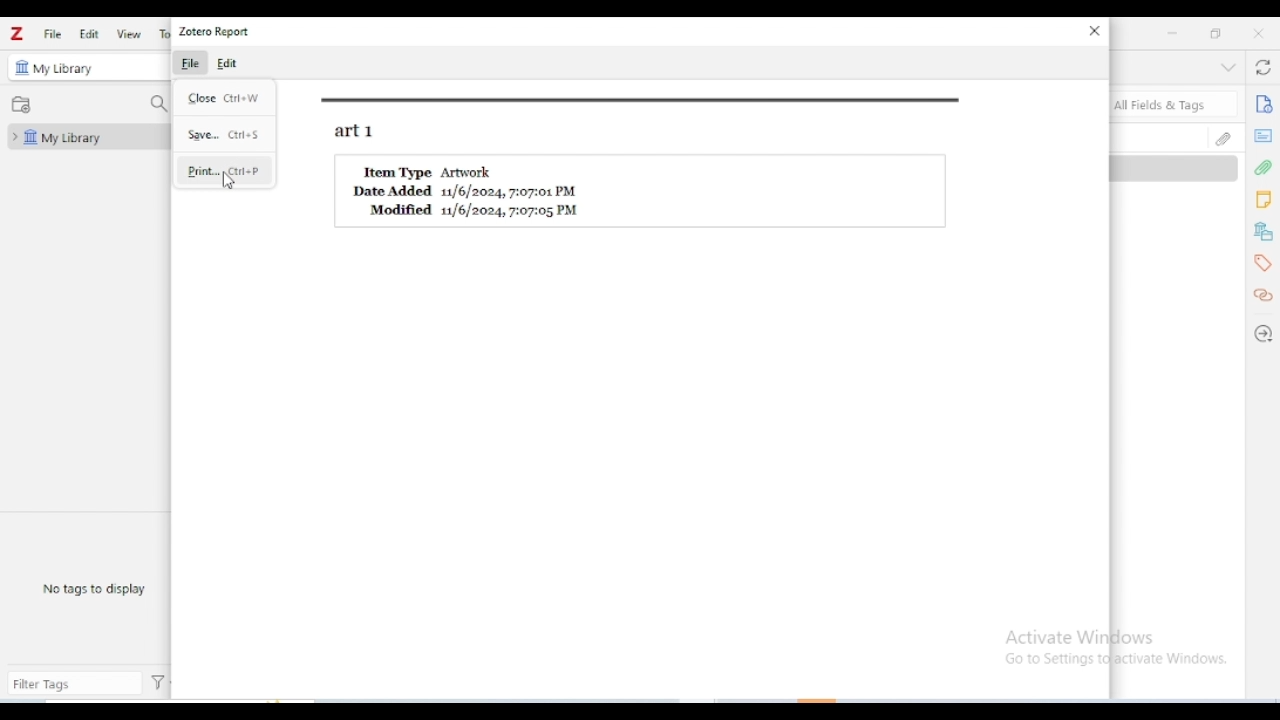 The image size is (1280, 720). What do you see at coordinates (64, 69) in the screenshot?
I see `my library` at bounding box center [64, 69].